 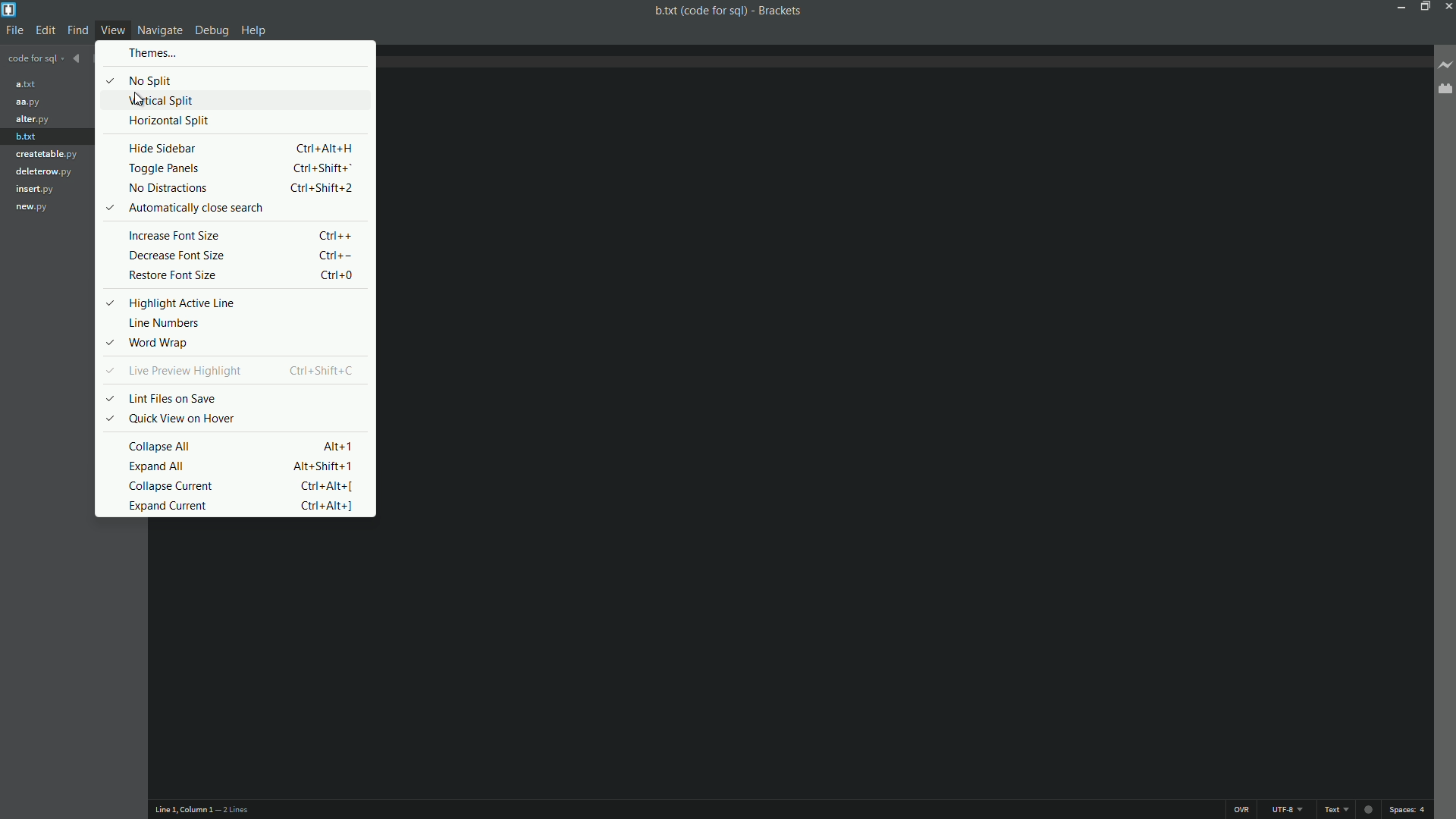 I want to click on Selected, so click(x=108, y=207).